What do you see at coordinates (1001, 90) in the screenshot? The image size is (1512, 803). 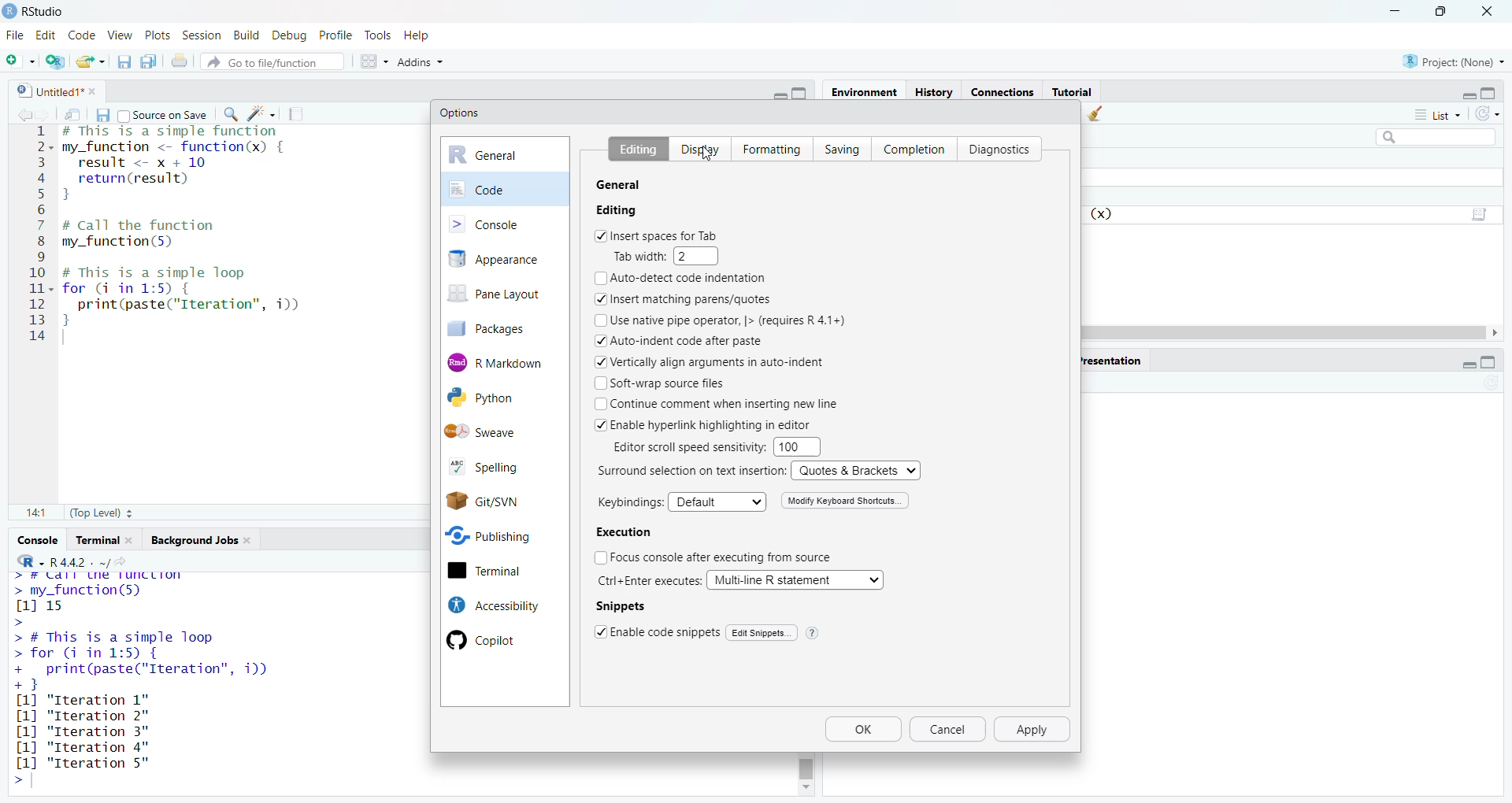 I see `connections` at bounding box center [1001, 90].